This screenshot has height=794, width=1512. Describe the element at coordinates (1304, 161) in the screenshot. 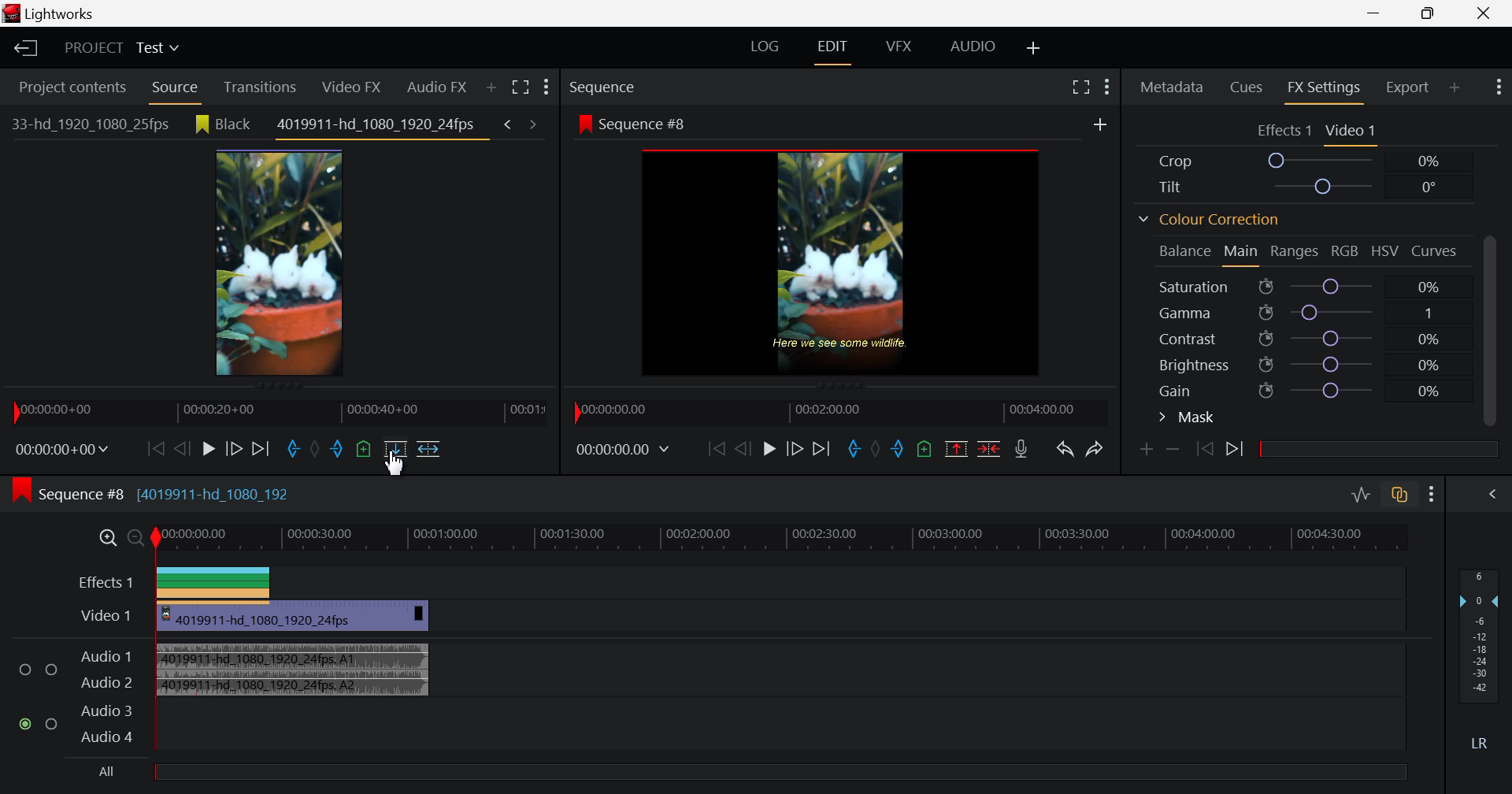

I see `Crop` at that location.